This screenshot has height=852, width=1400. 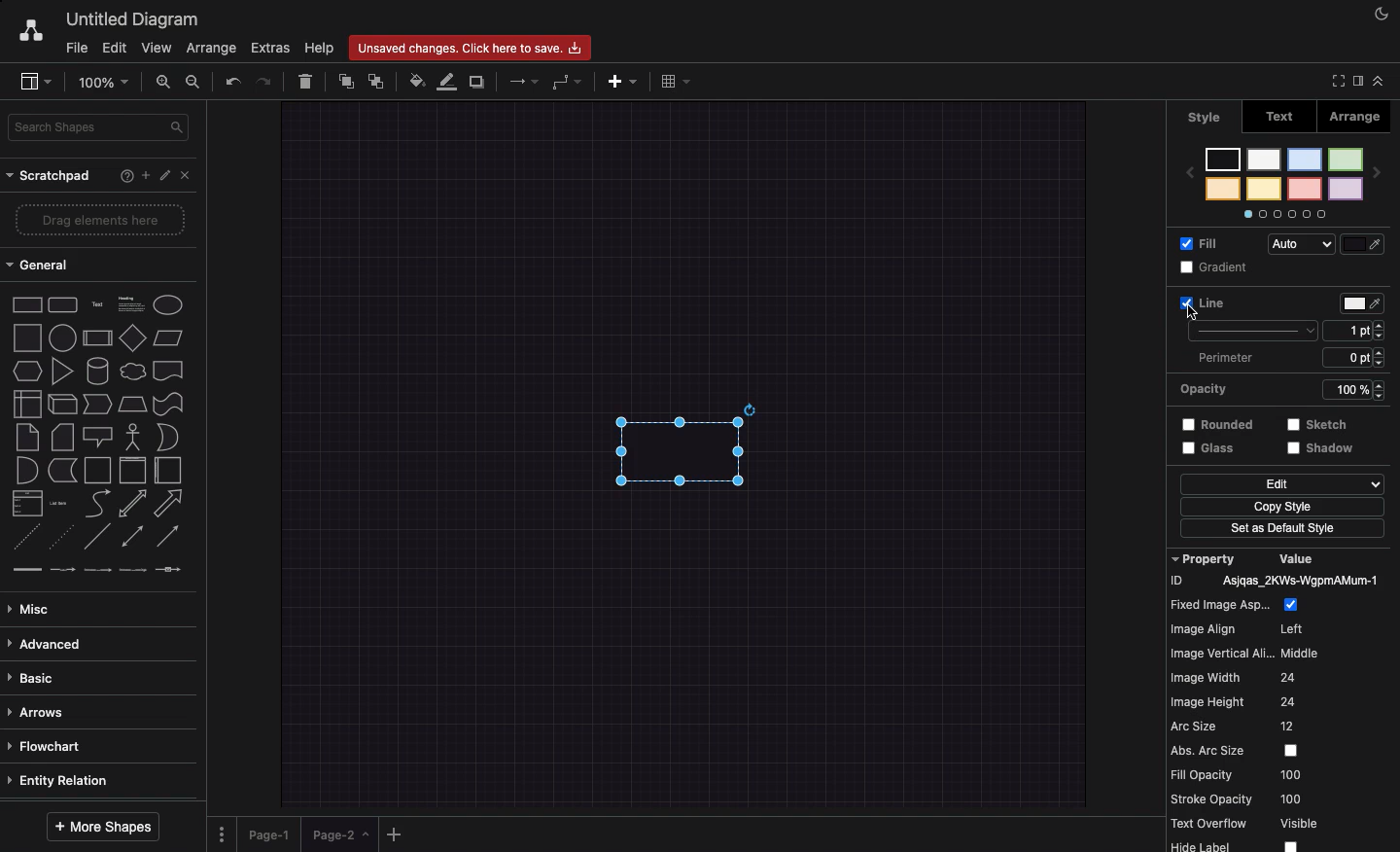 I want to click on Styles, so click(x=1284, y=181).